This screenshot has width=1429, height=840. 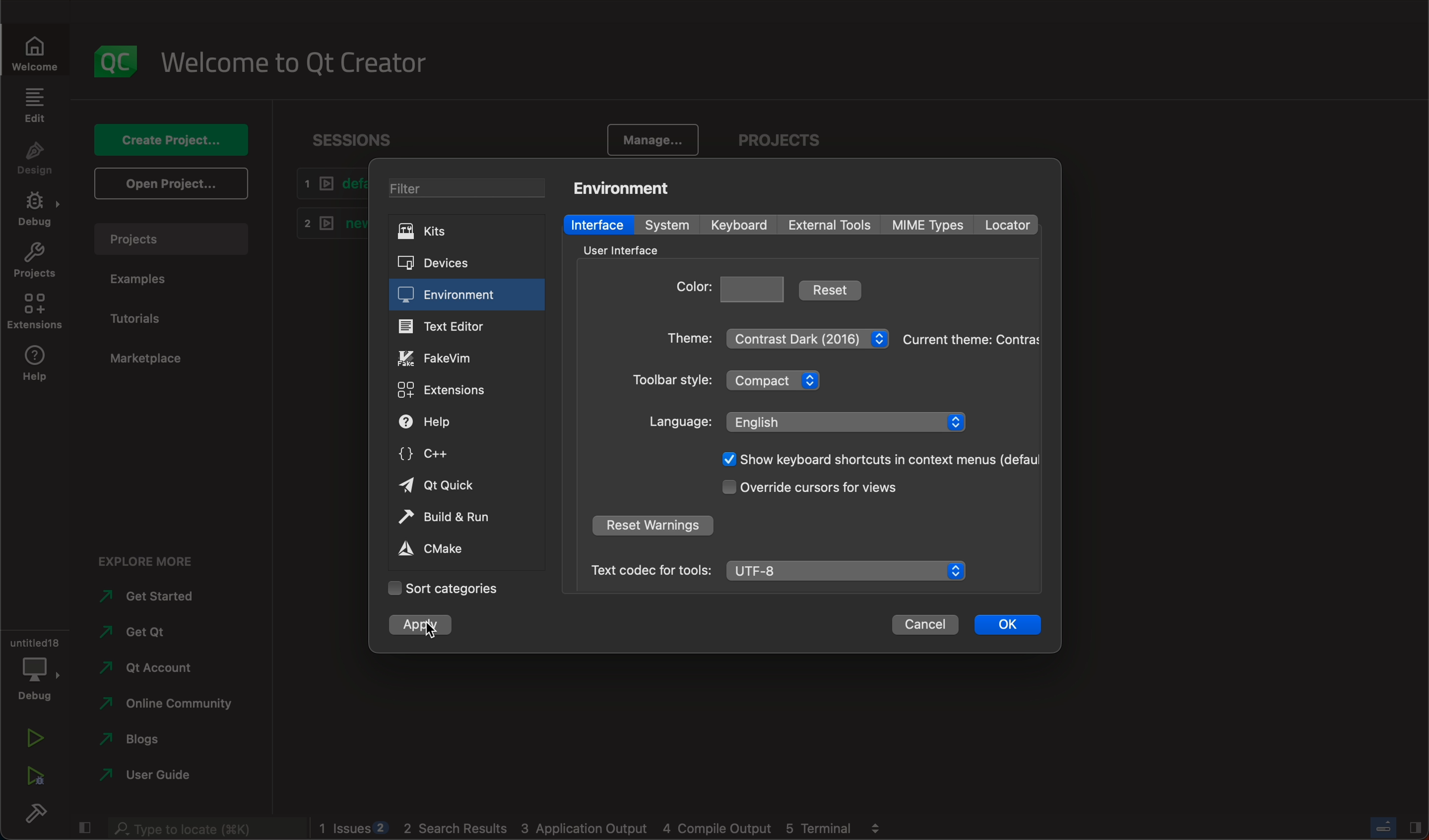 What do you see at coordinates (627, 249) in the screenshot?
I see `user interface` at bounding box center [627, 249].